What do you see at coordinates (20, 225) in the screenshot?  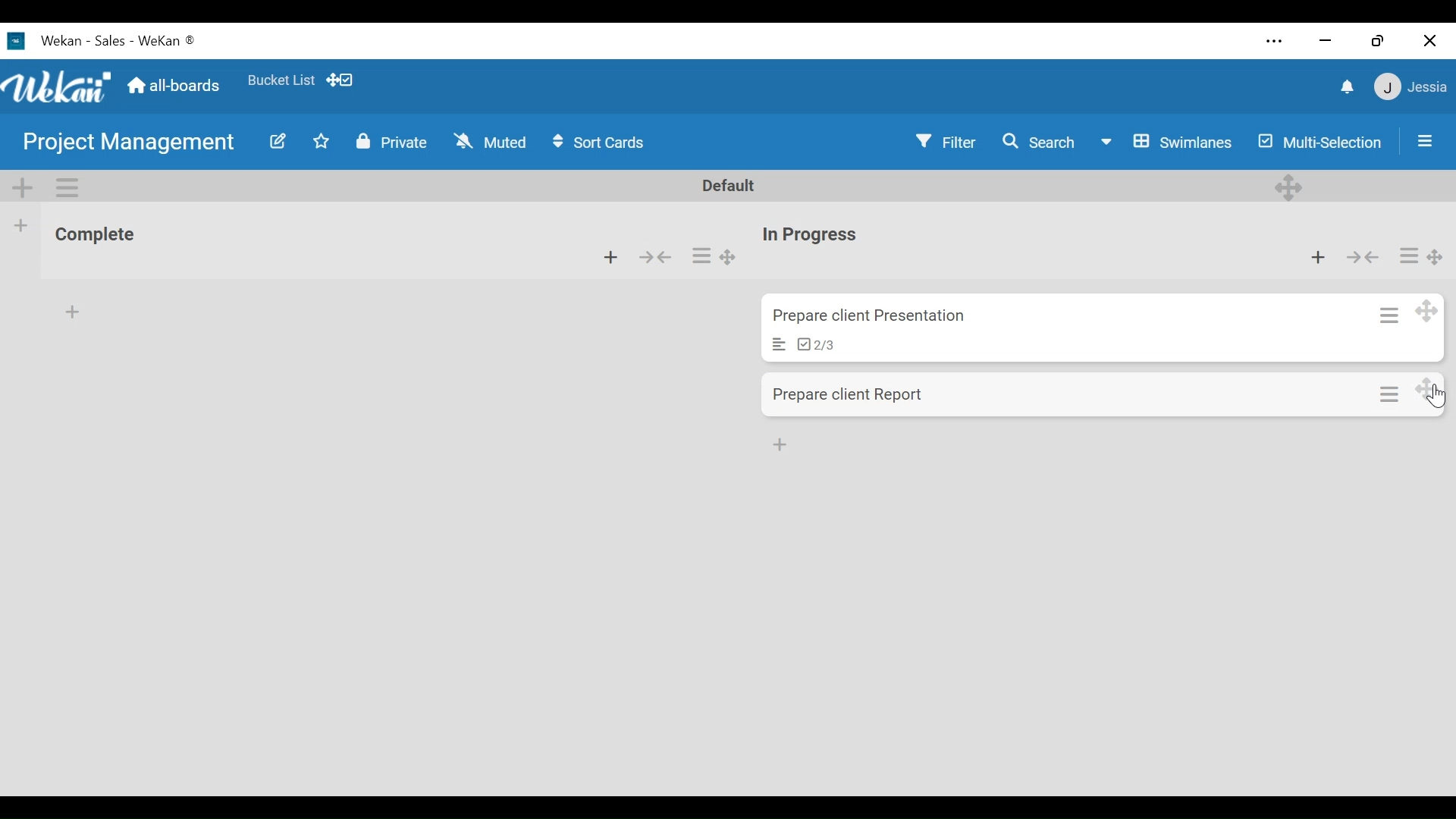 I see `Add list ` at bounding box center [20, 225].